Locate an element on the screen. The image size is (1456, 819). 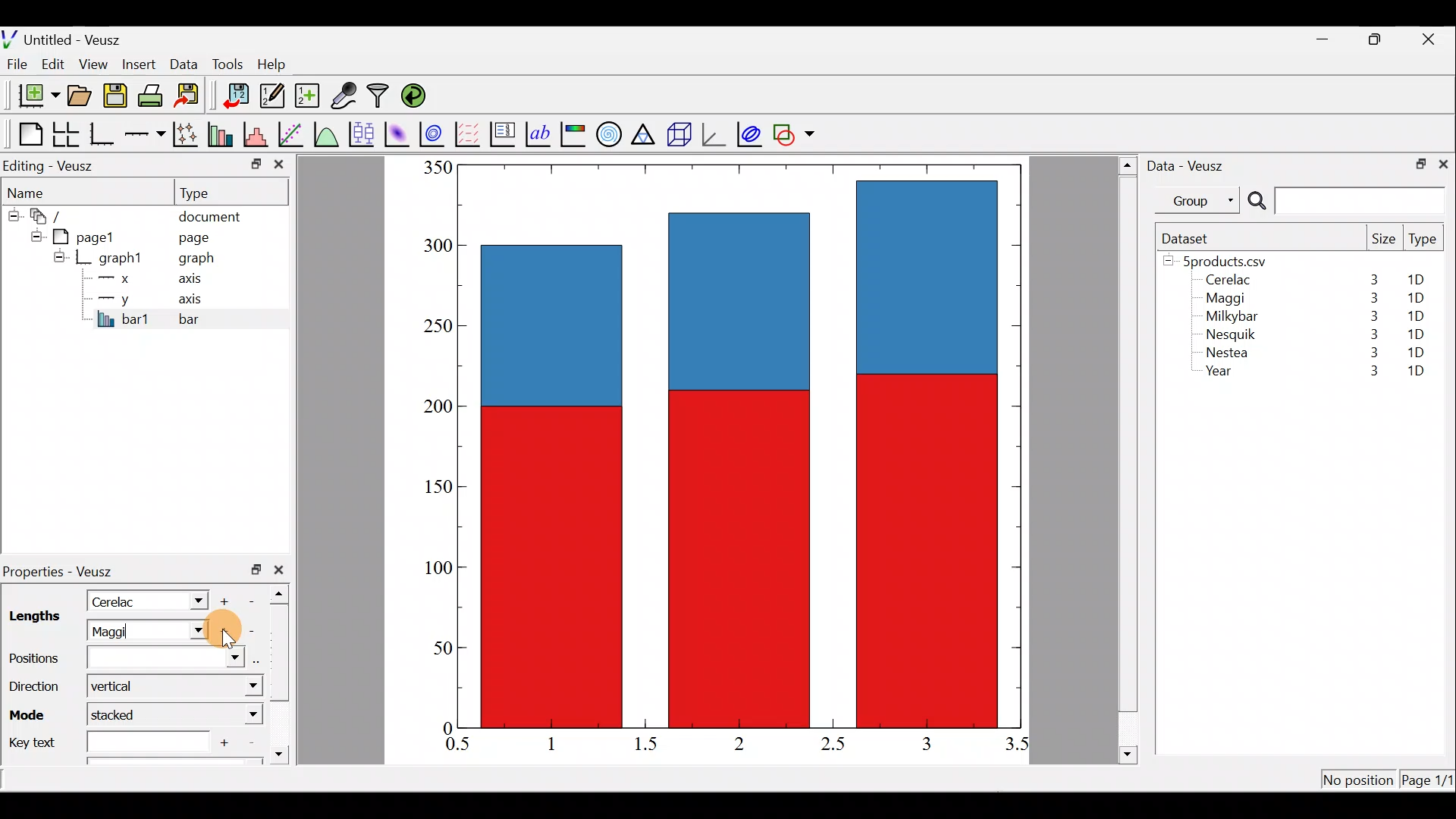
View is located at coordinates (96, 61).